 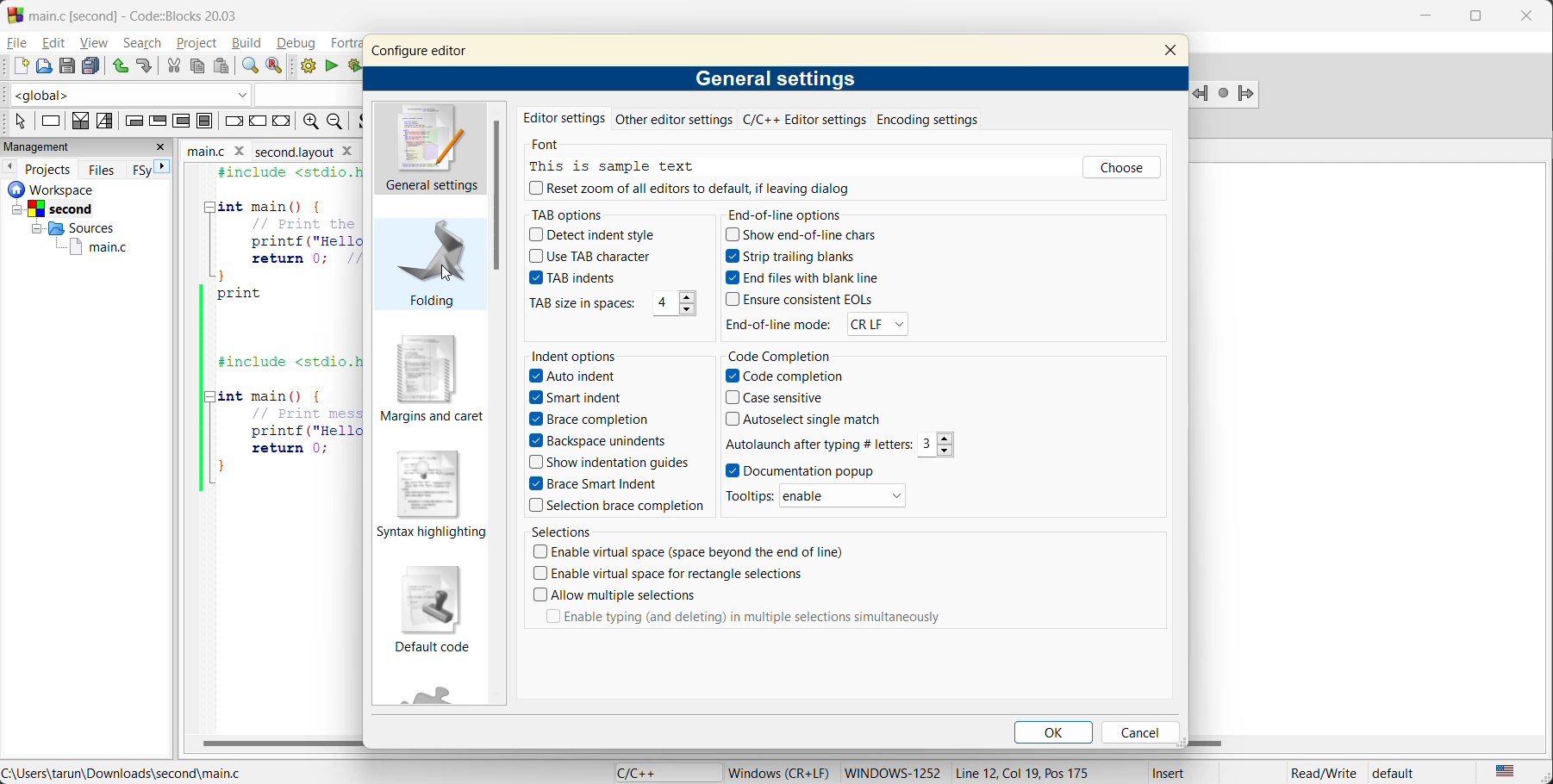 I want to click on horizontal scroll bar, so click(x=283, y=744).